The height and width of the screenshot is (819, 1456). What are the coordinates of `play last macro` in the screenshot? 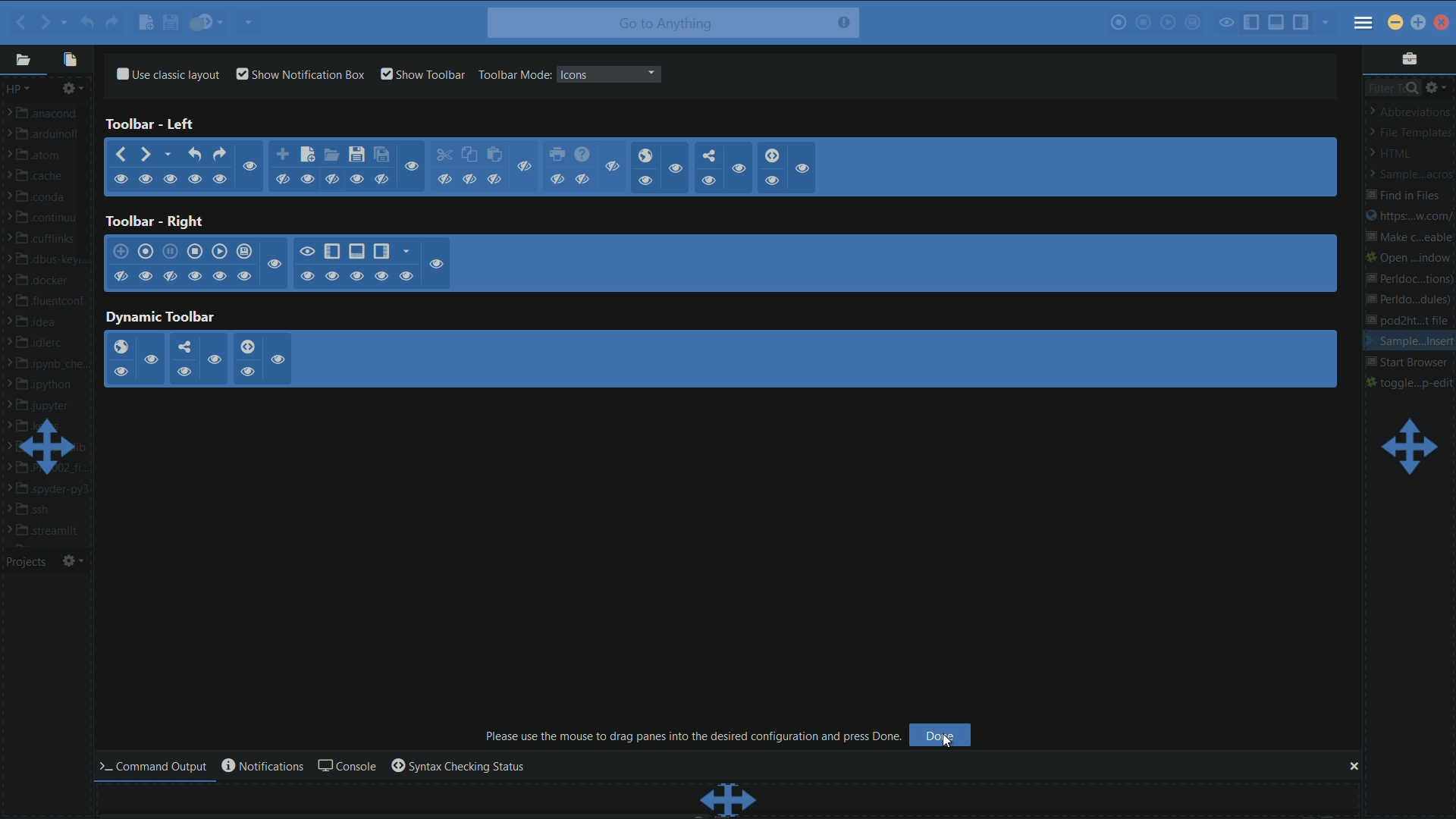 It's located at (220, 252).